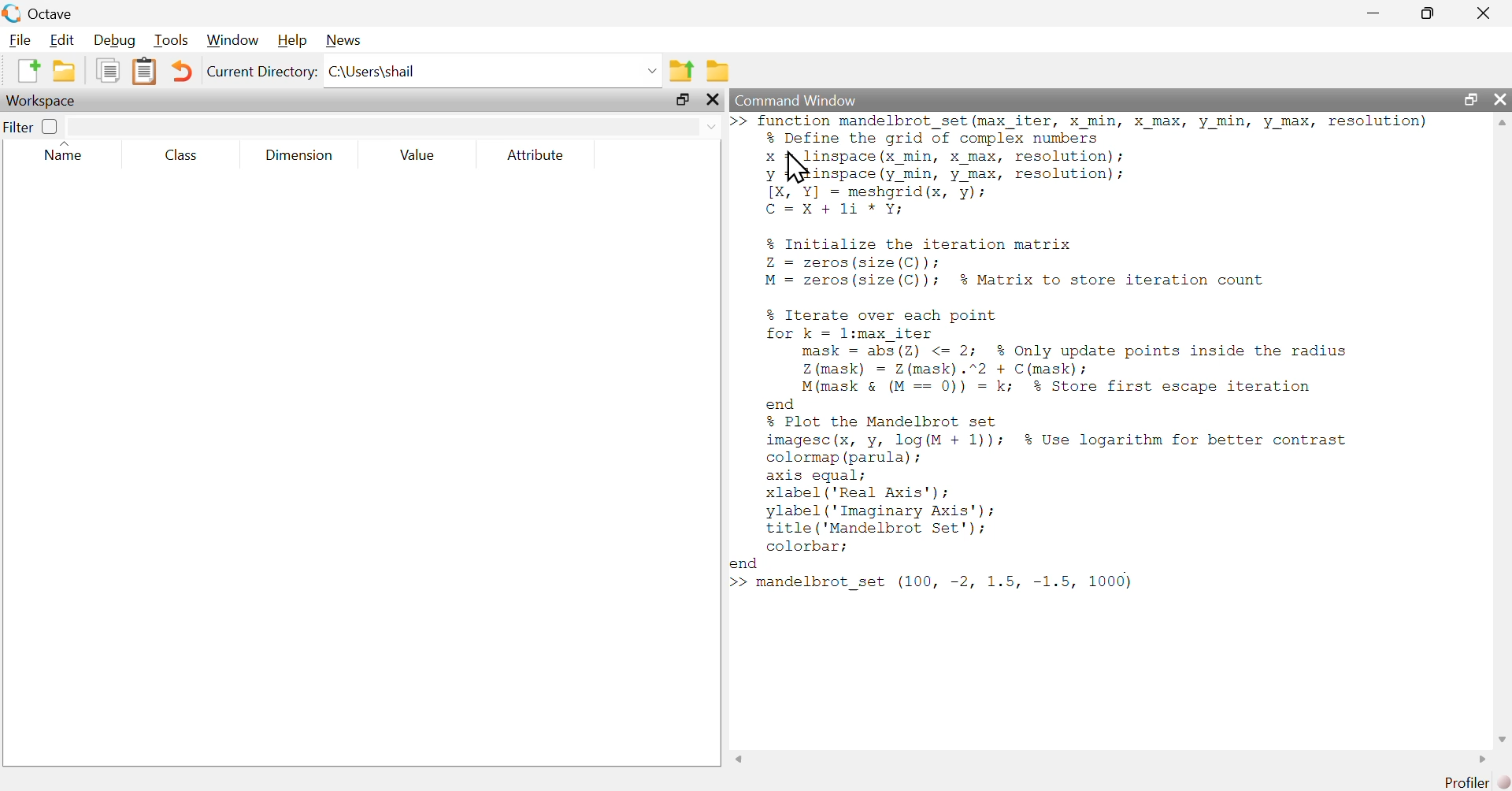 The image size is (1512, 791). Describe the element at coordinates (17, 39) in the screenshot. I see `File` at that location.